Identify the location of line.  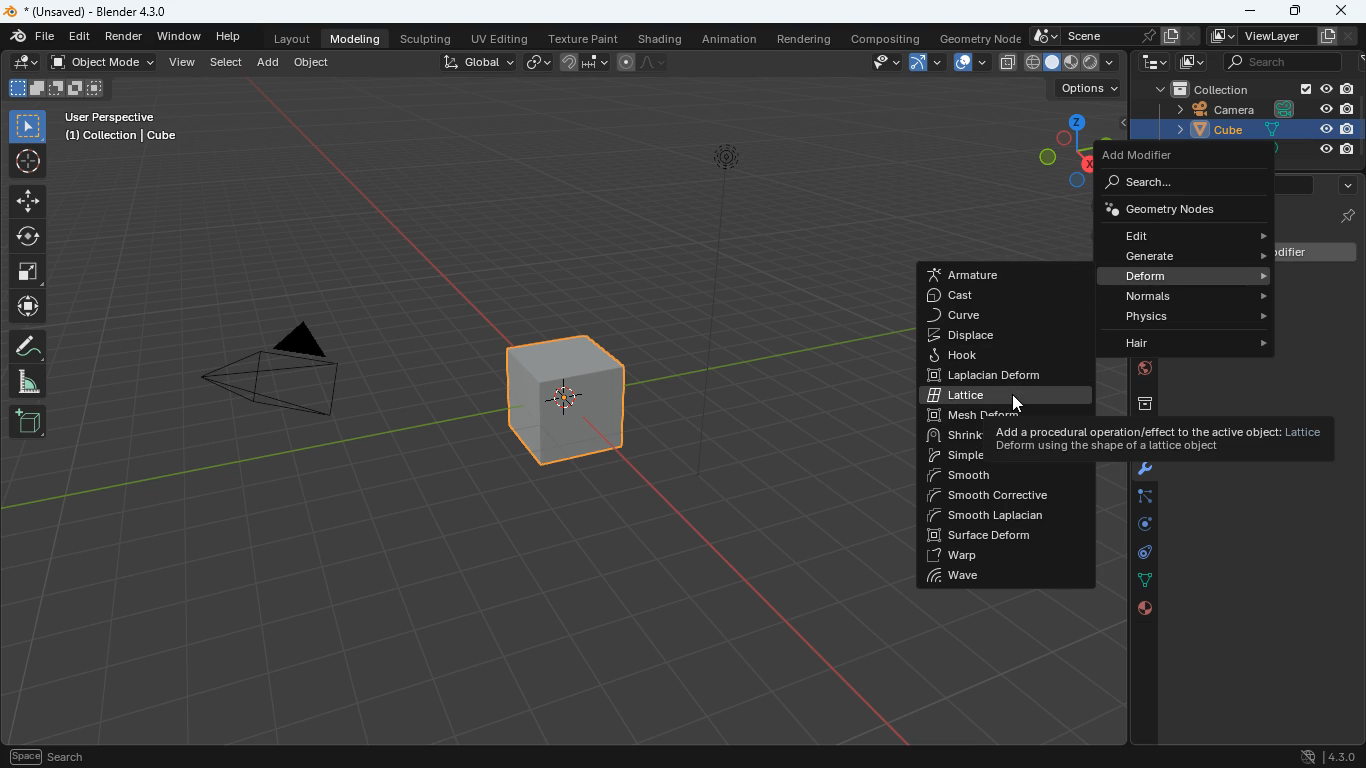
(645, 61).